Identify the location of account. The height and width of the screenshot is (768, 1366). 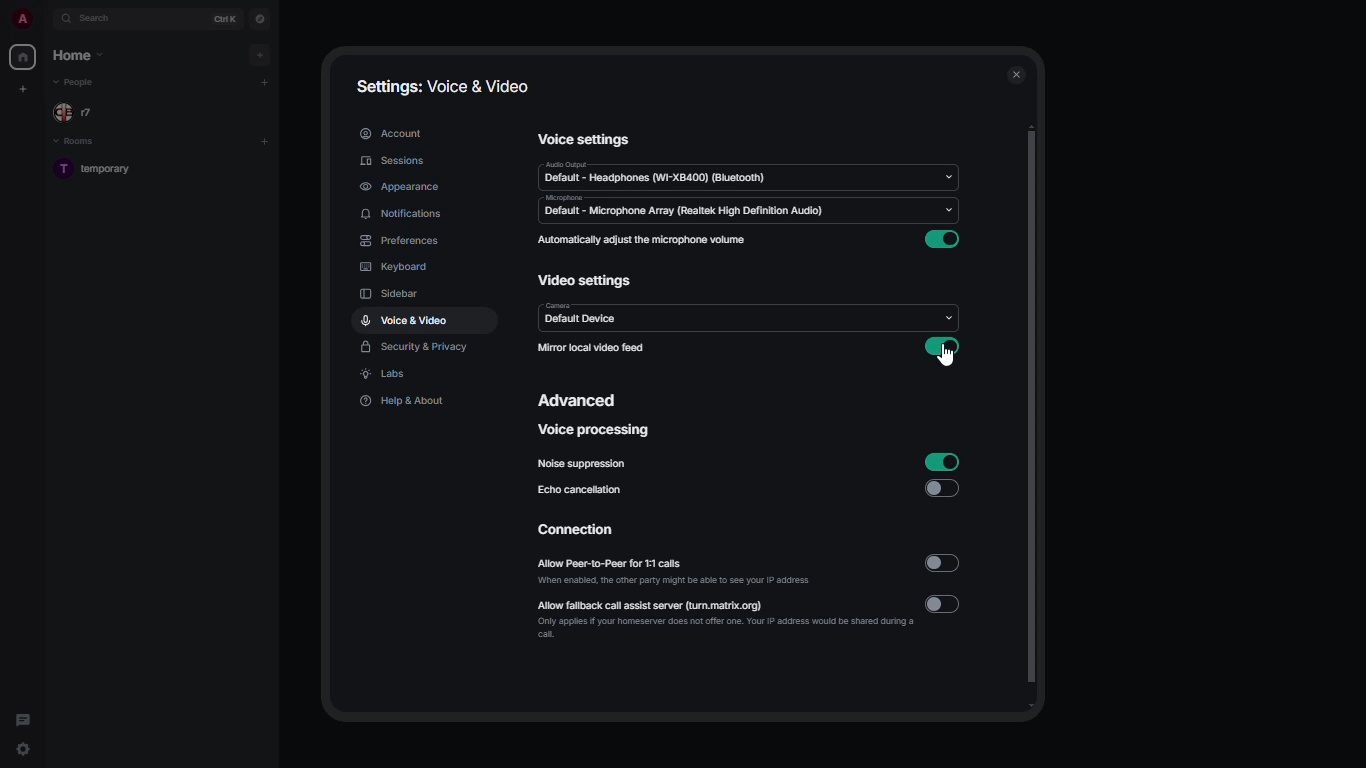
(395, 131).